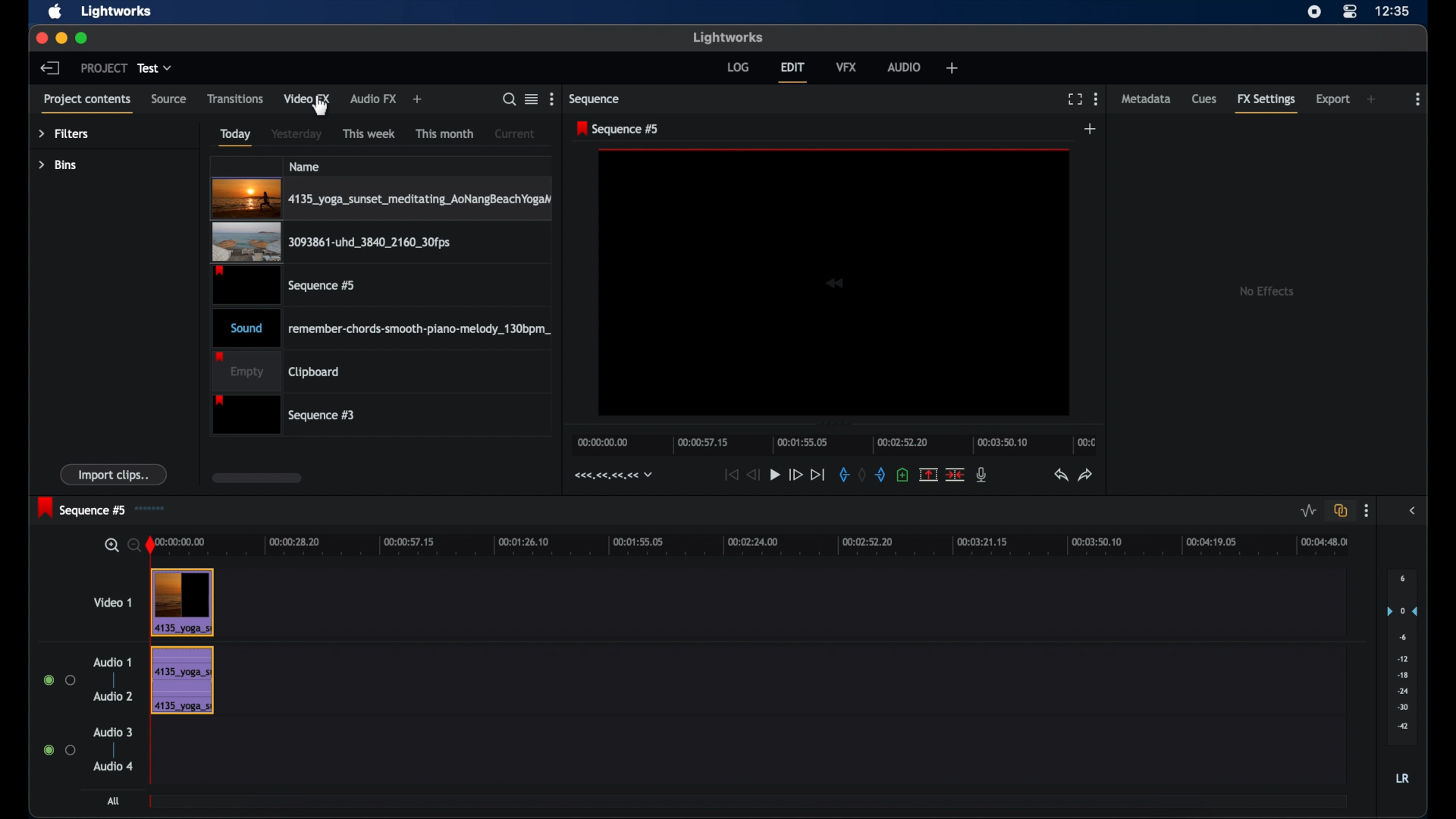 Image resolution: width=1456 pixels, height=819 pixels. I want to click on edit, so click(793, 72).